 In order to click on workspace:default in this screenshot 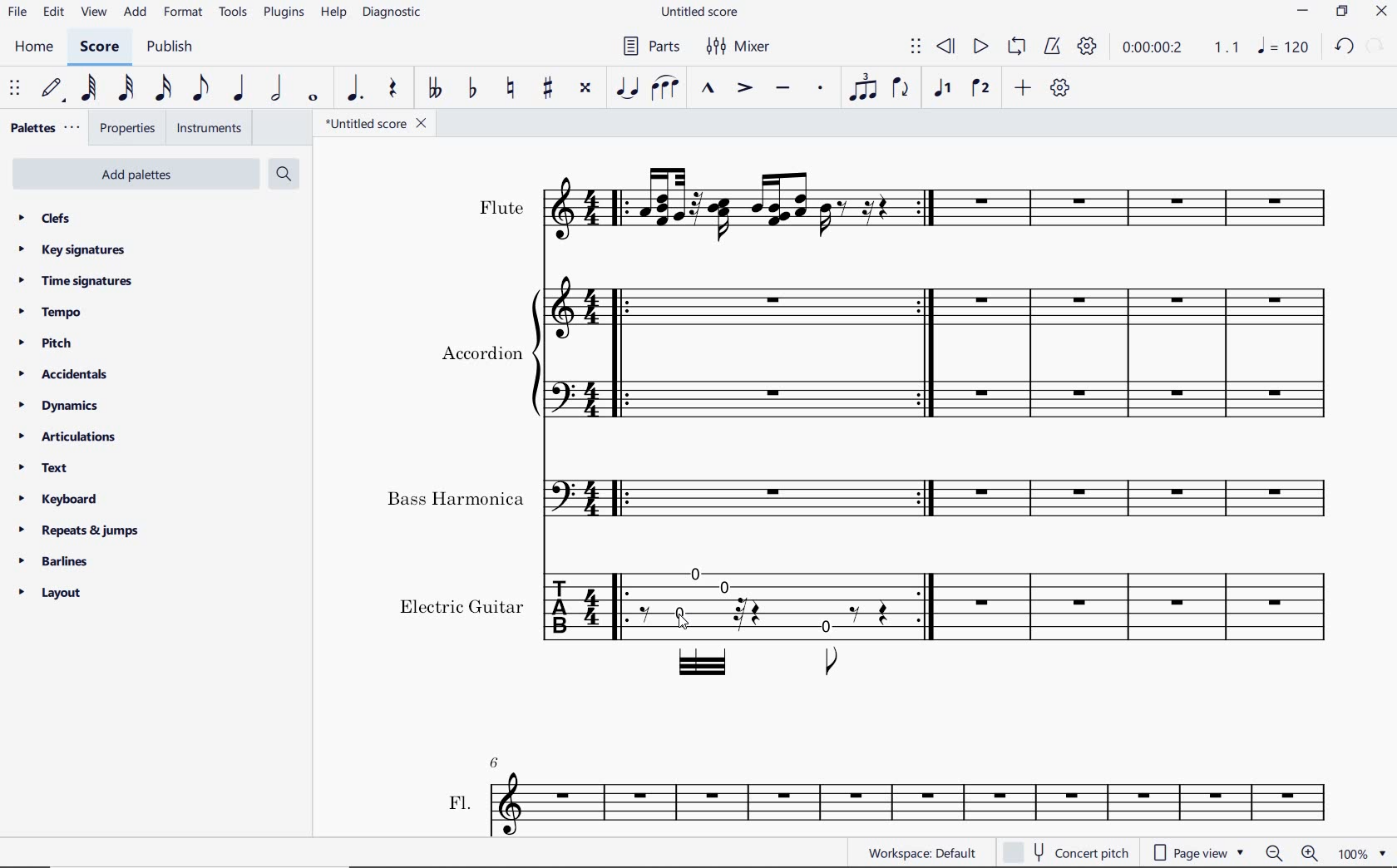, I will do `click(922, 855)`.